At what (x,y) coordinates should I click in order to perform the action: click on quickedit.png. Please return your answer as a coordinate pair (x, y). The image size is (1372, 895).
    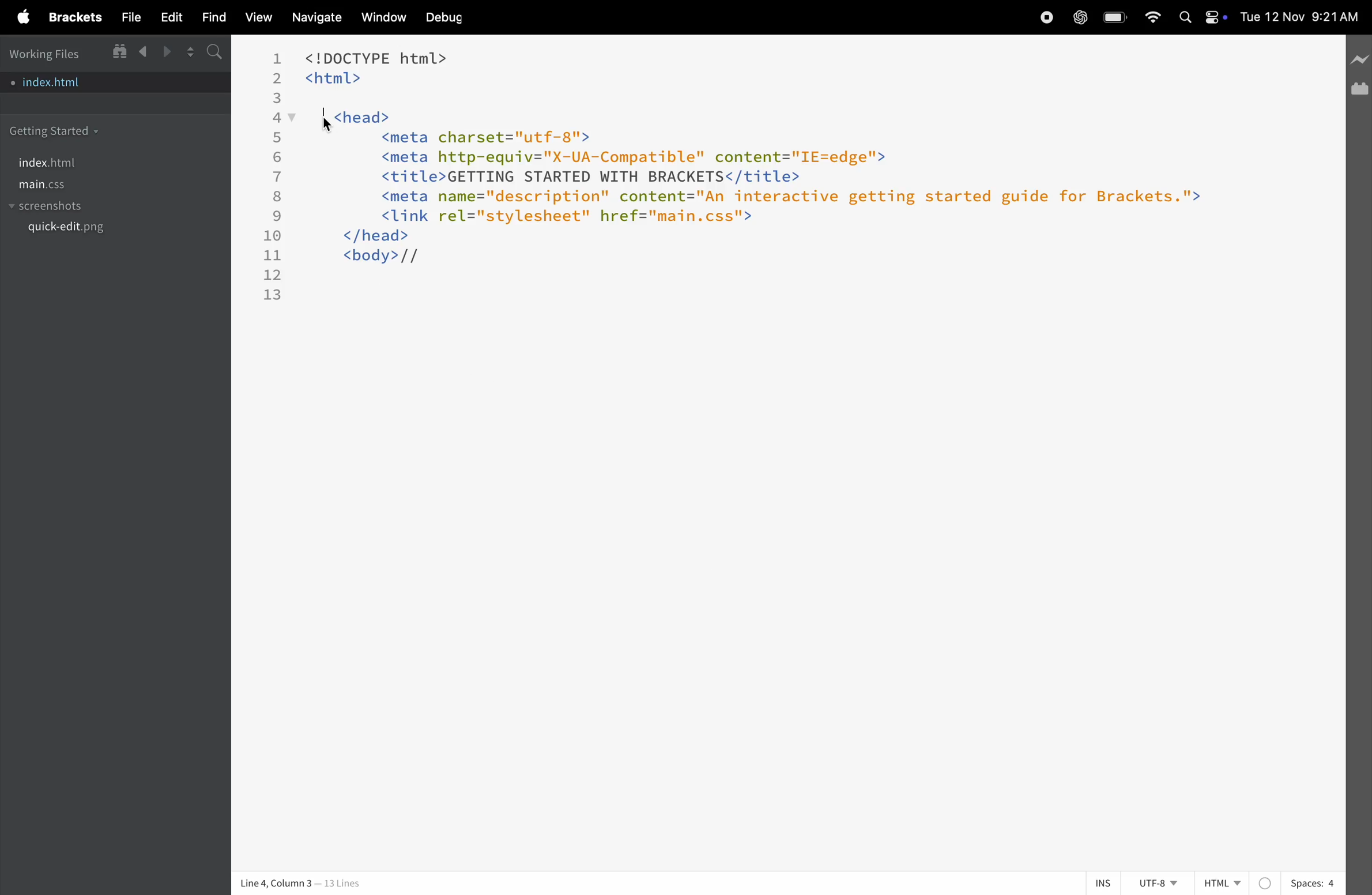
    Looking at the image, I should click on (87, 231).